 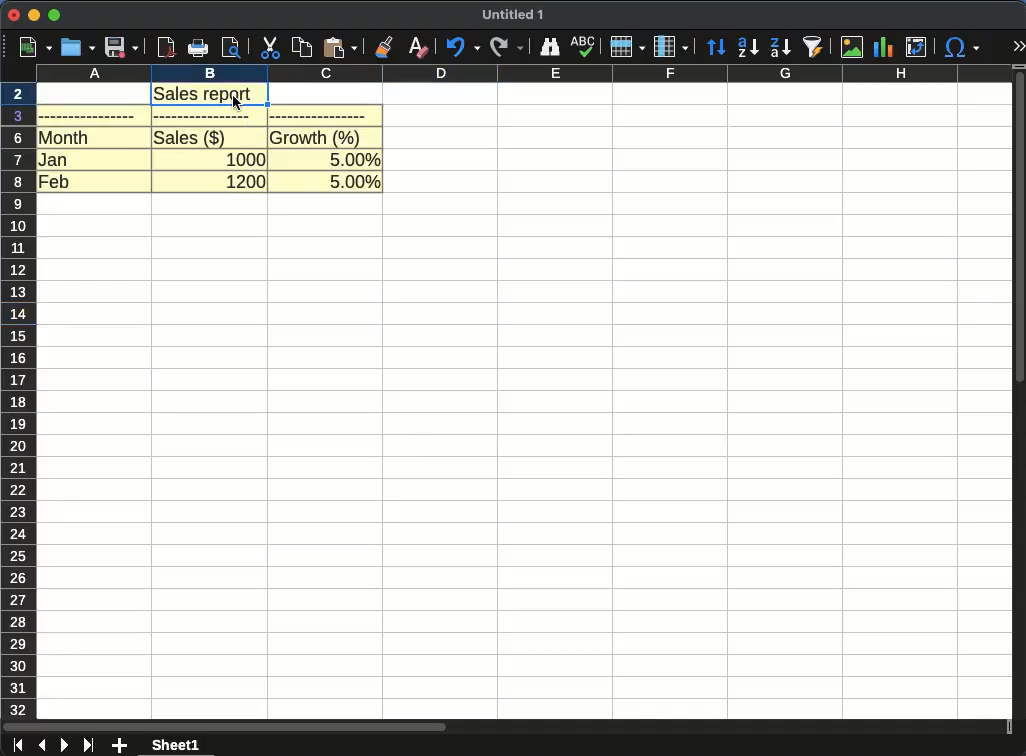 I want to click on add, so click(x=121, y=746).